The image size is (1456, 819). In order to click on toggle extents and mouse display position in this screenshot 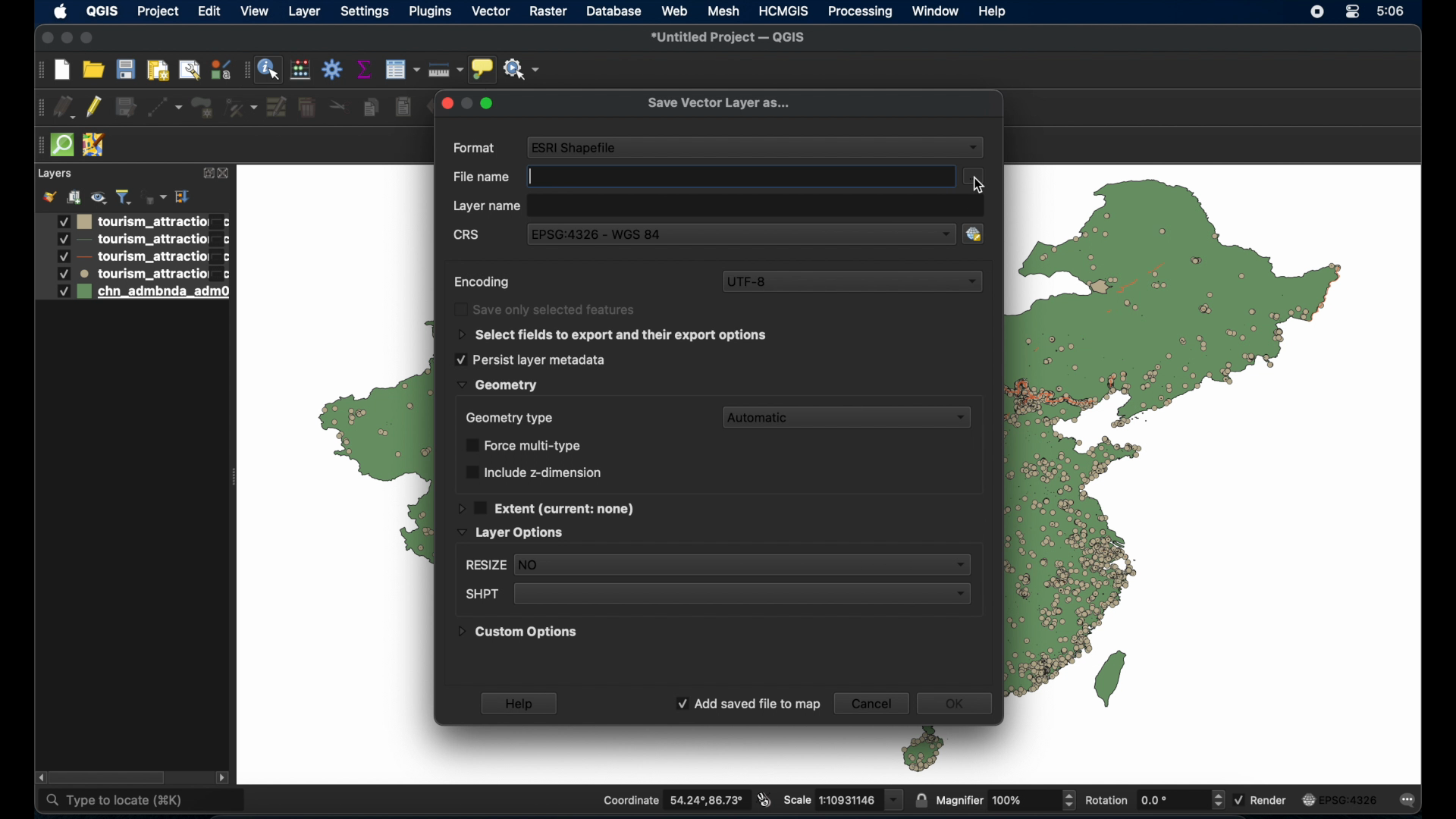, I will do `click(765, 801)`.